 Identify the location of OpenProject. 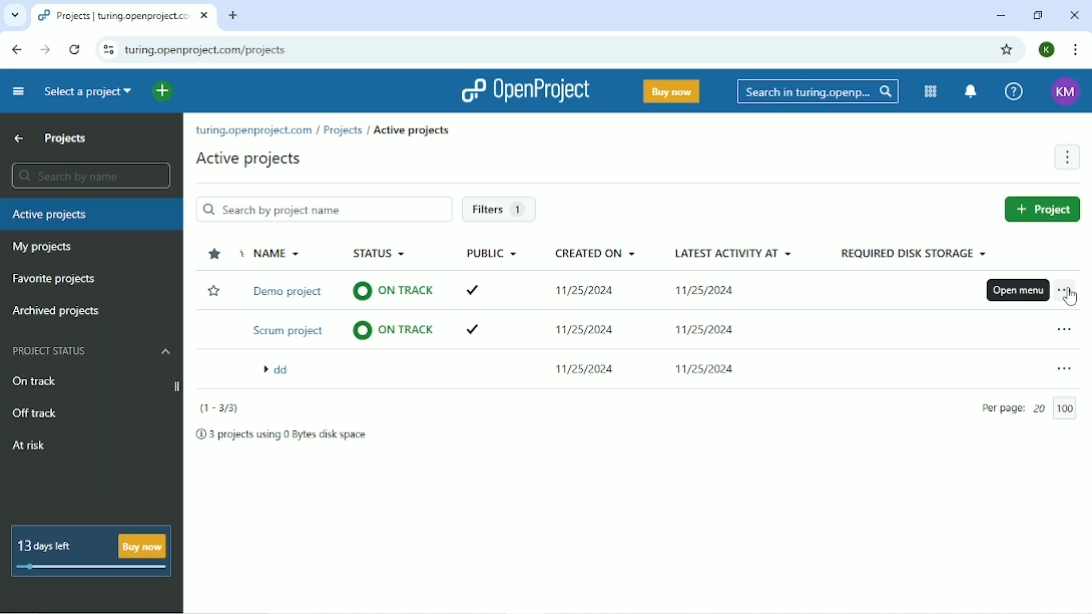
(525, 90).